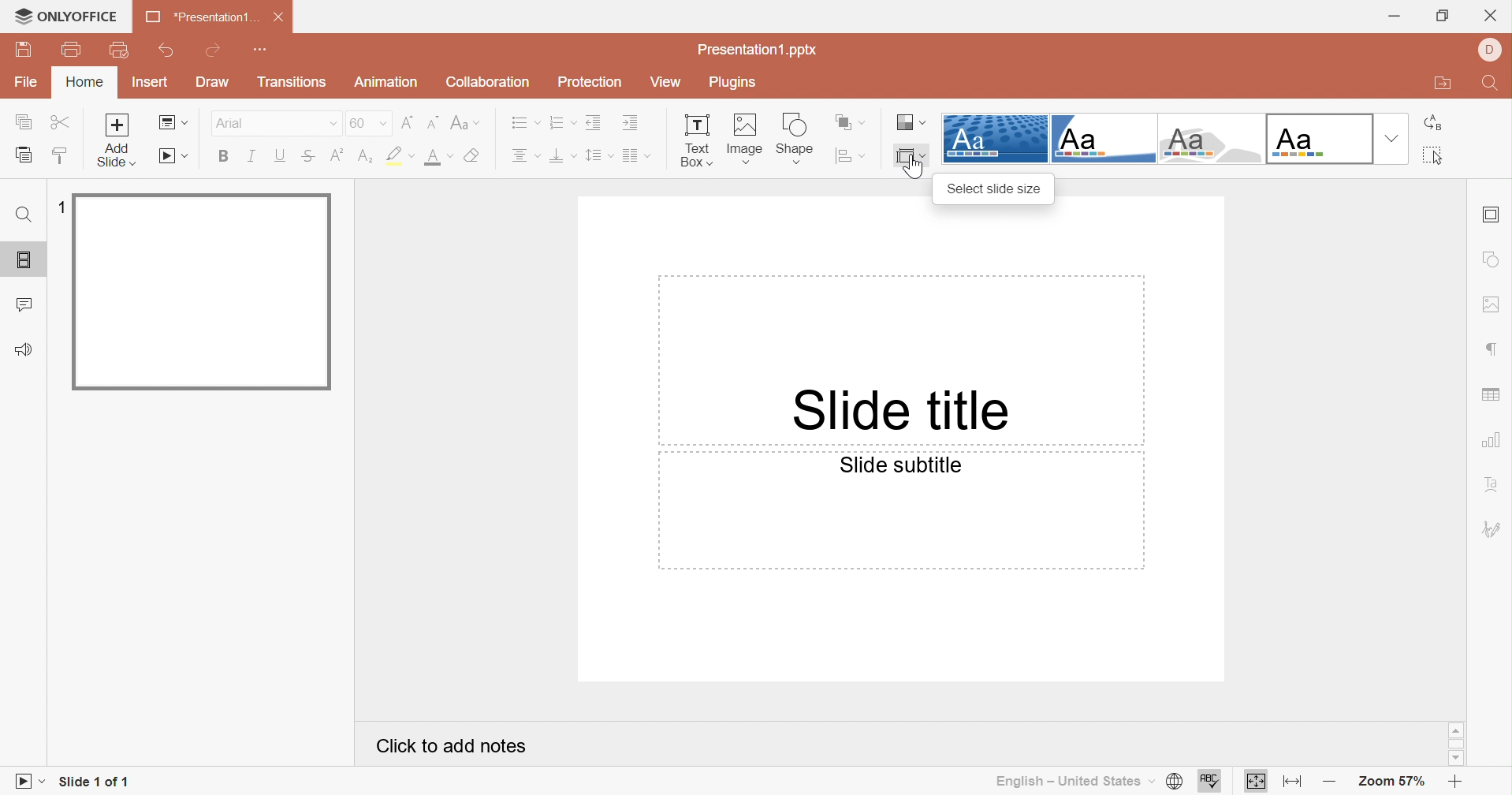 The width and height of the screenshot is (1512, 795). What do you see at coordinates (152, 82) in the screenshot?
I see `Insert` at bounding box center [152, 82].